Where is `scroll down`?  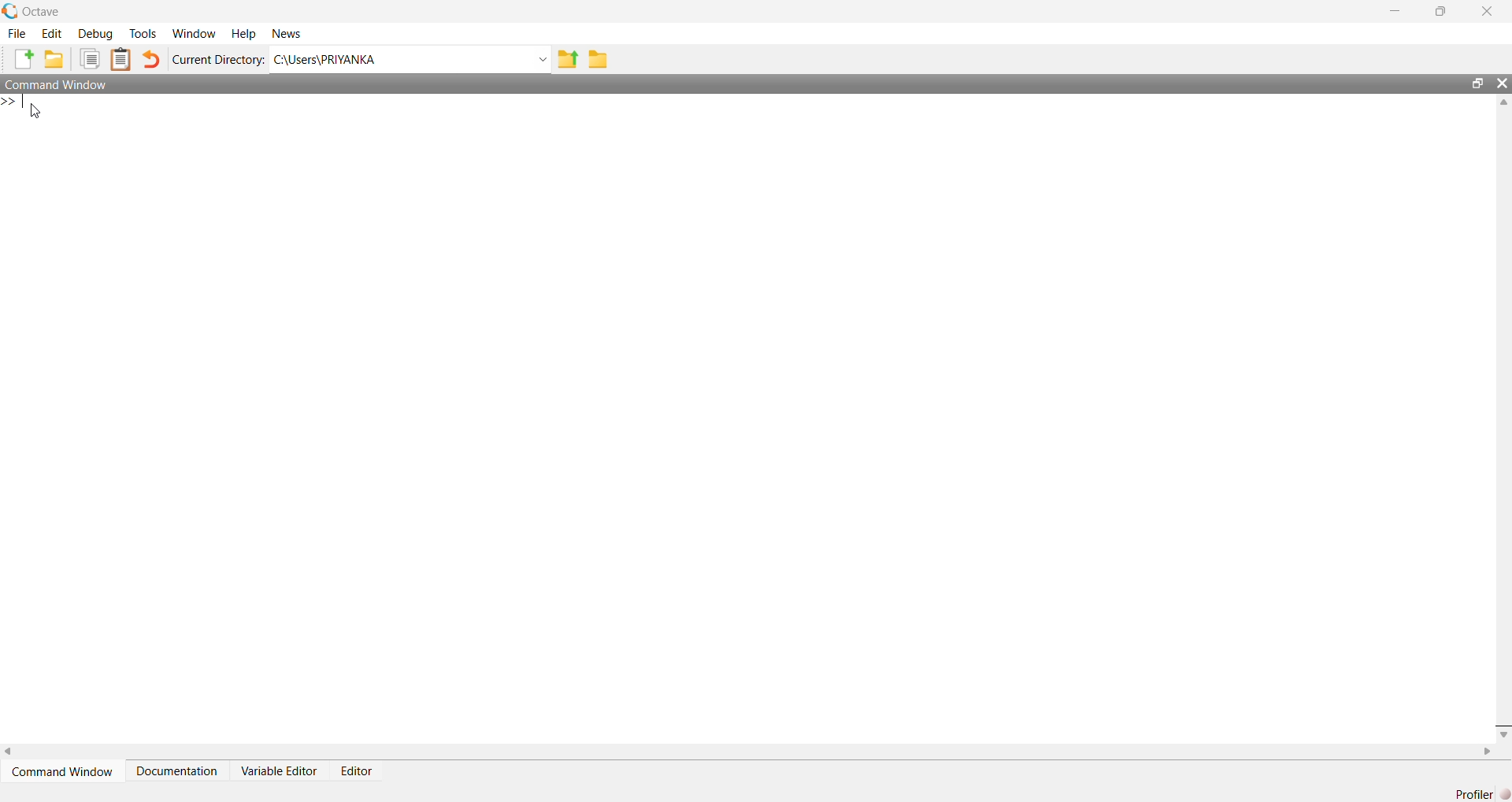
scroll down is located at coordinates (1502, 733).